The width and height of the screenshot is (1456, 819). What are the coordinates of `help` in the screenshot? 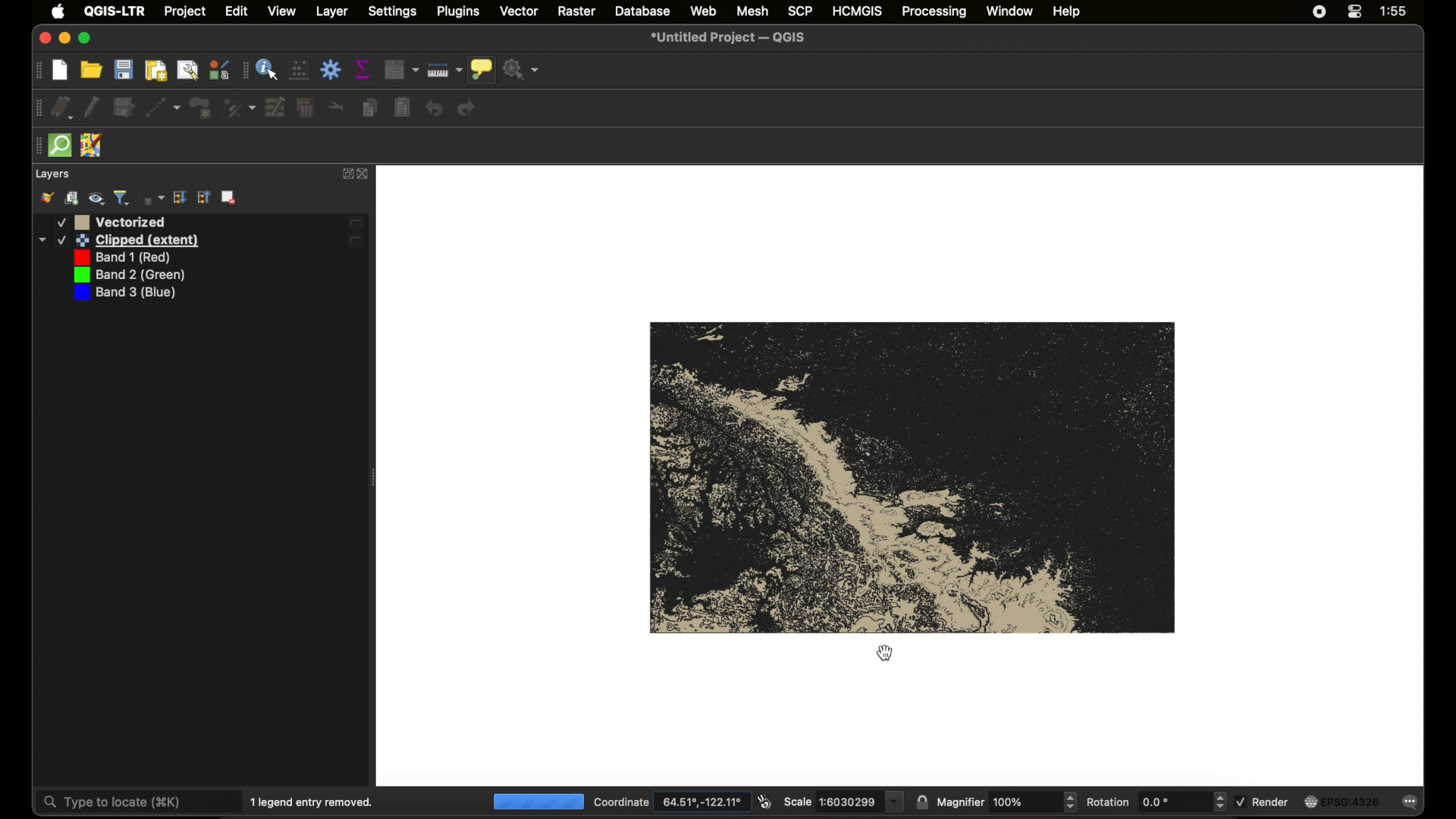 It's located at (1066, 12).